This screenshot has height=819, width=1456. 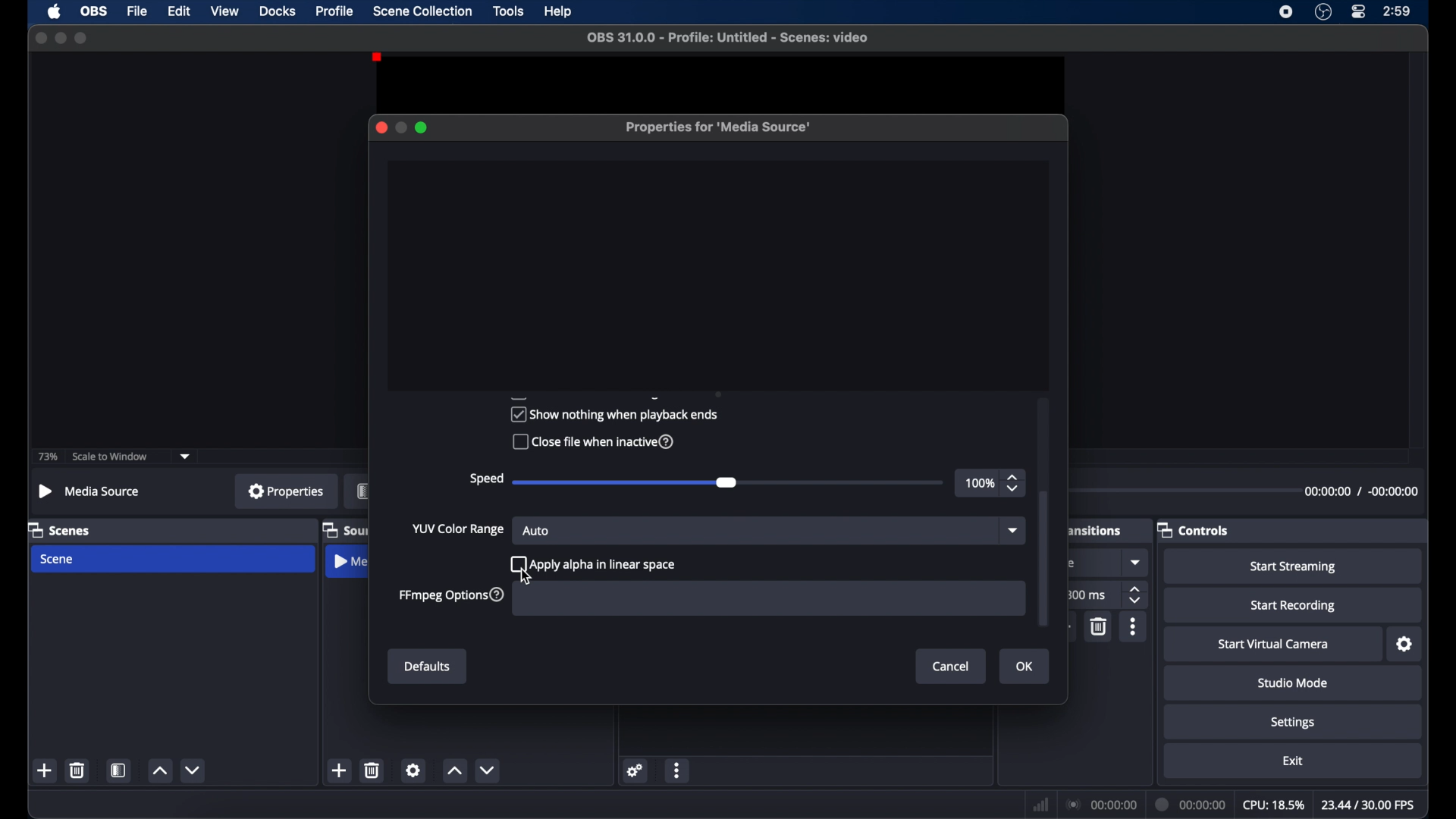 I want to click on no source selected, so click(x=93, y=491).